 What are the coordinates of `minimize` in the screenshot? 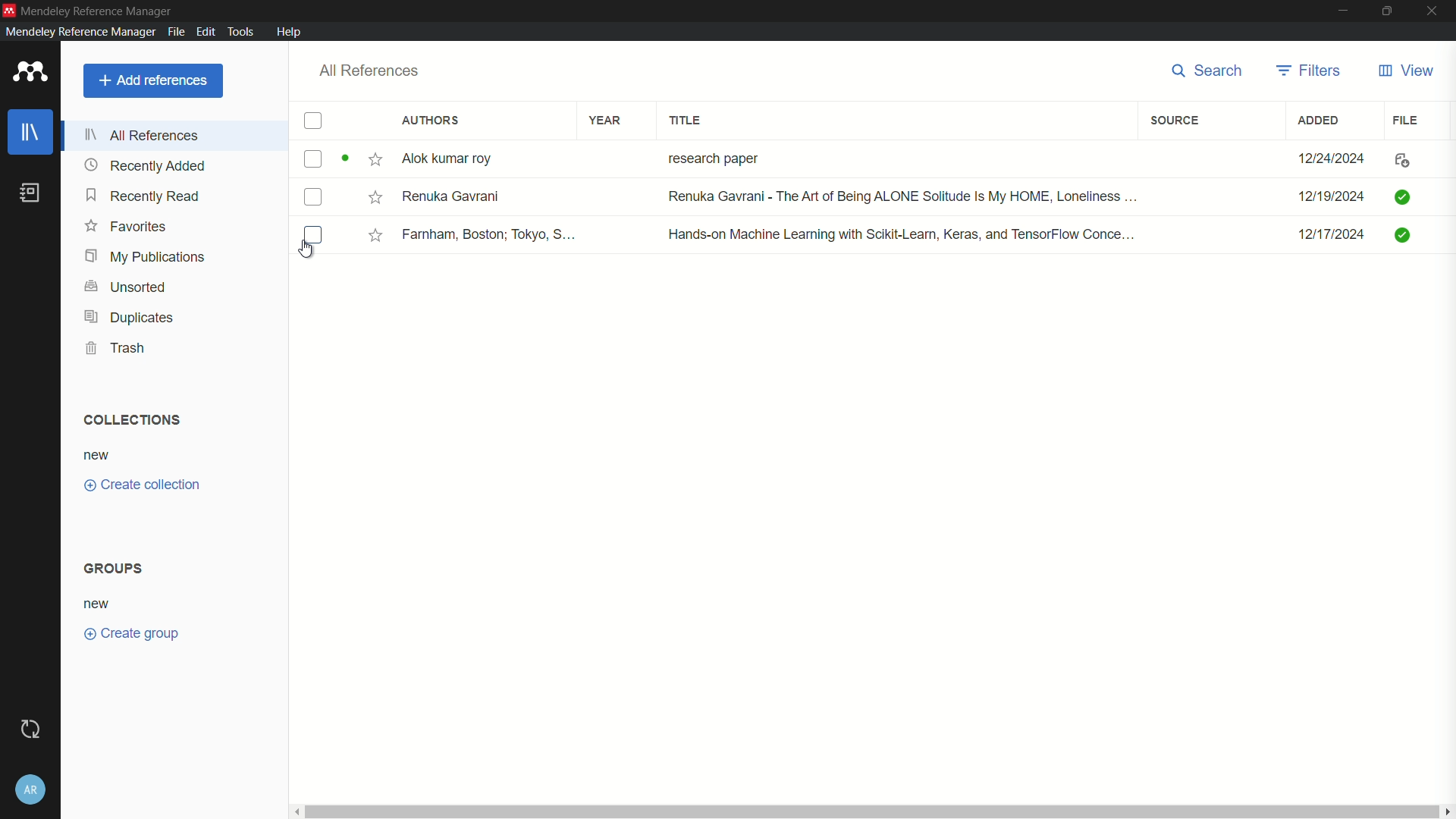 It's located at (1341, 10).